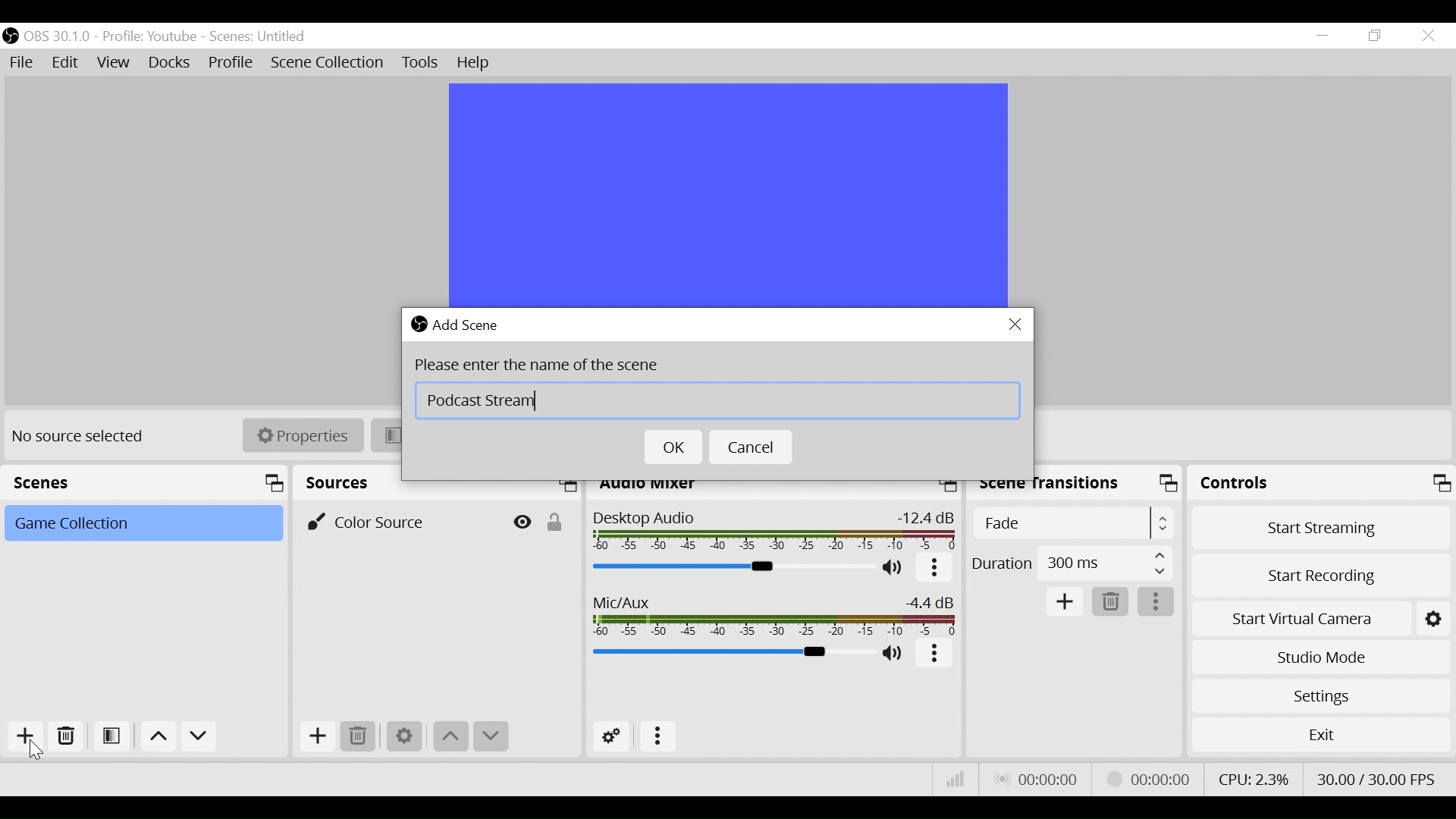  I want to click on Scenes panel, so click(147, 483).